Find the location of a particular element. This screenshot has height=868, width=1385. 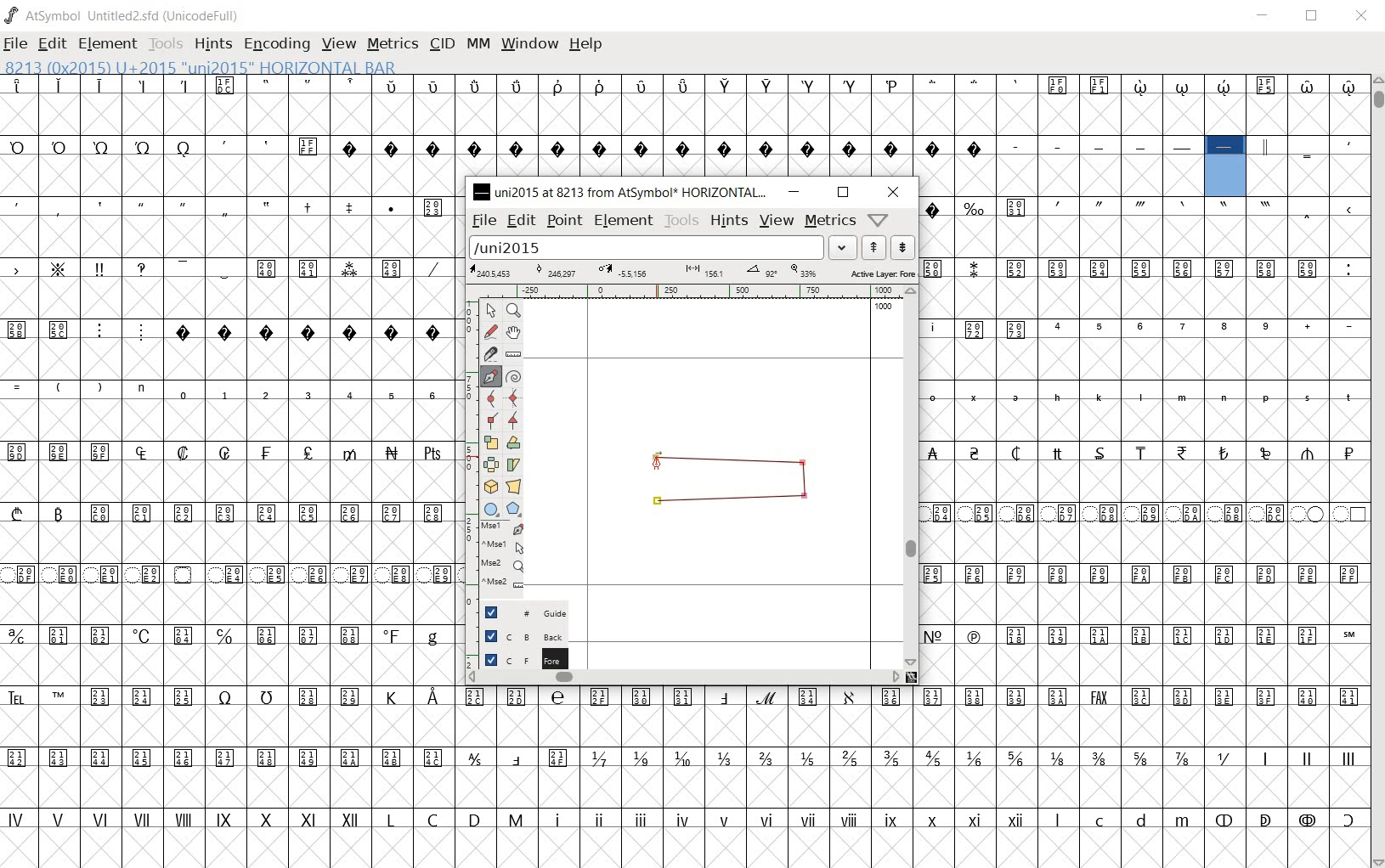

glyph characters is located at coordinates (914, 775).